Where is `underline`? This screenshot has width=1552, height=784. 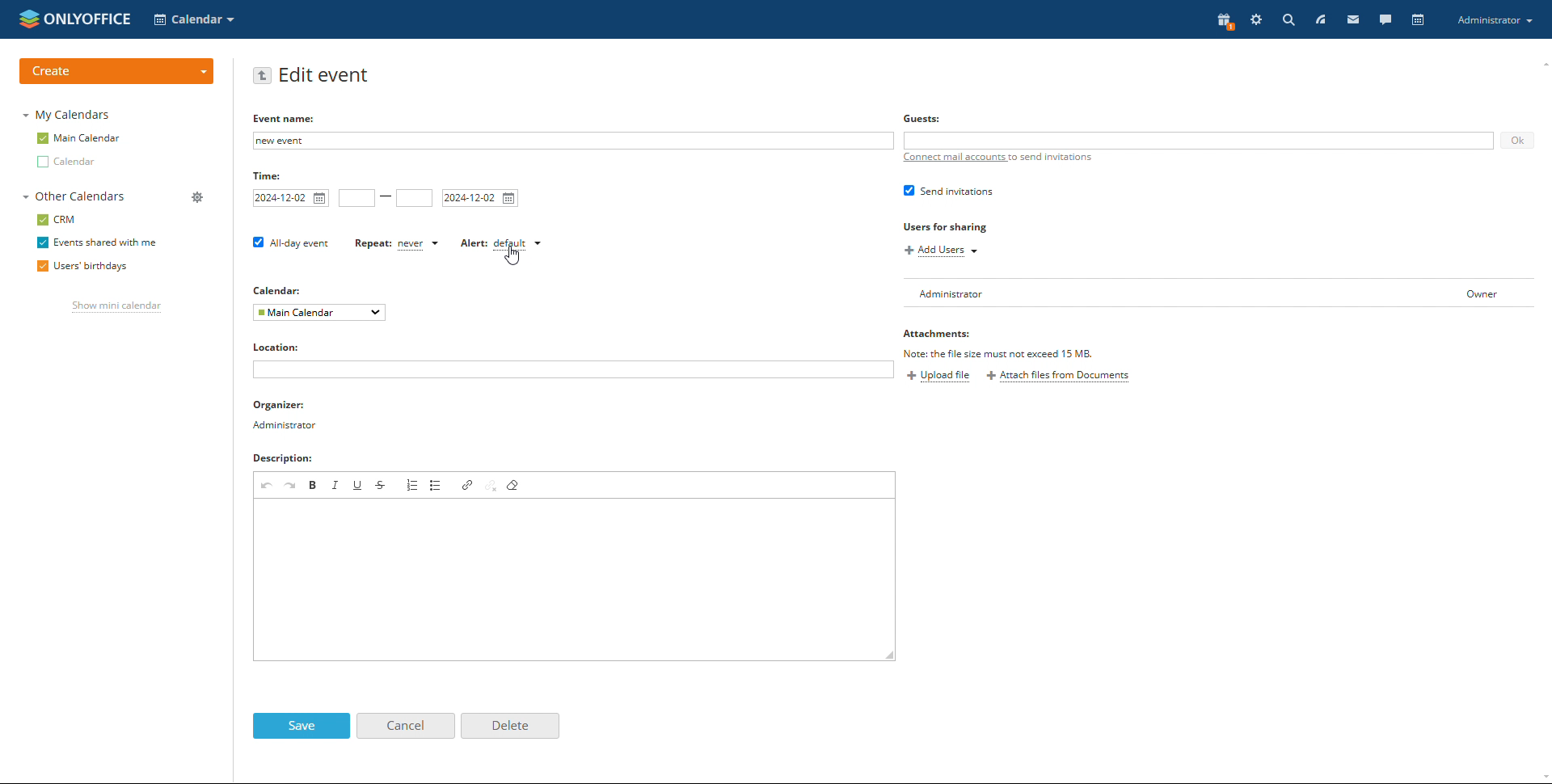 underline is located at coordinates (358, 485).